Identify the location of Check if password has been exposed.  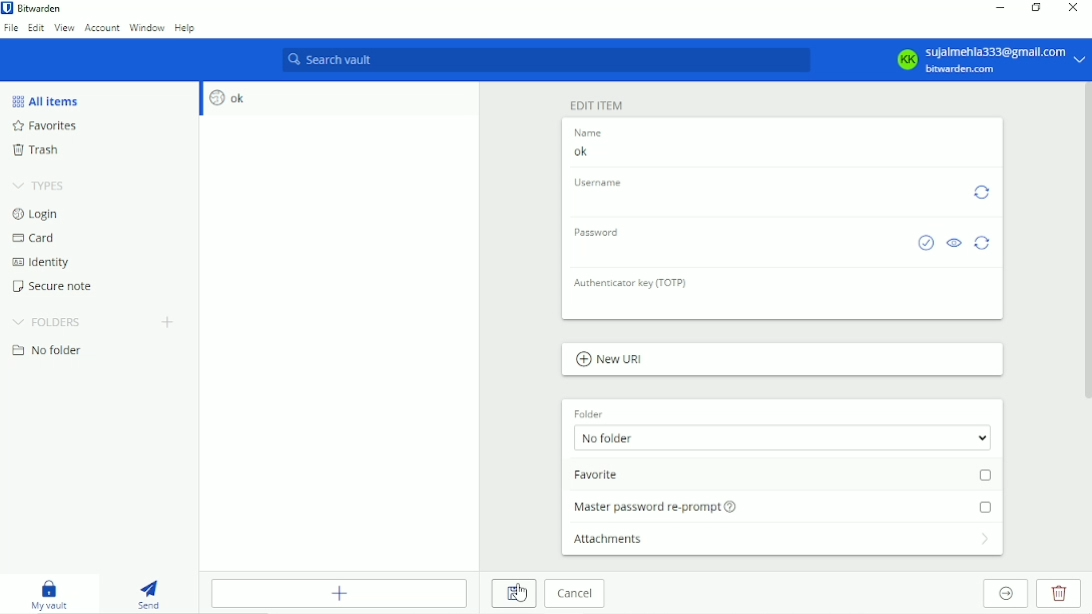
(925, 243).